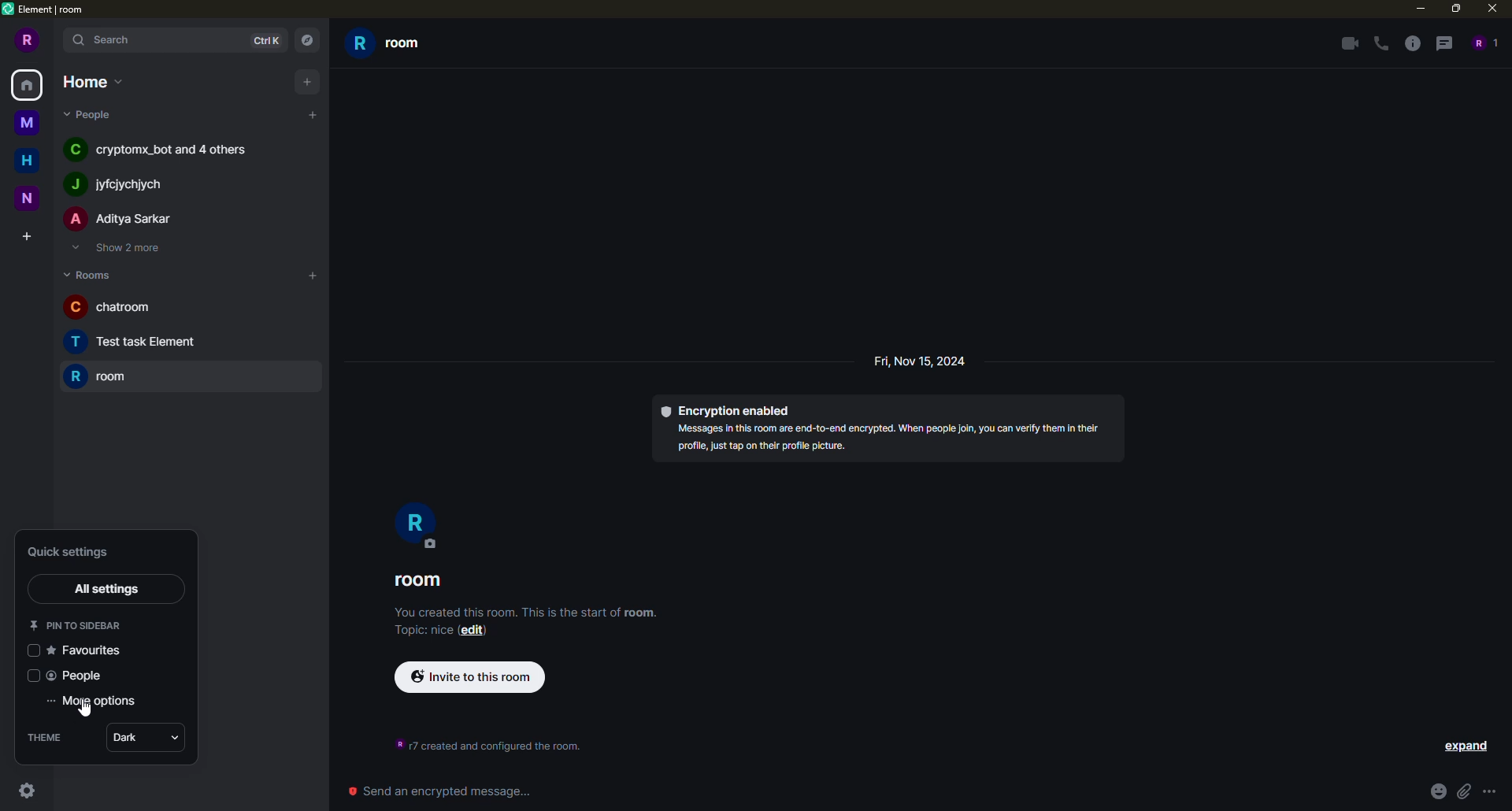  I want to click on room, so click(102, 378).